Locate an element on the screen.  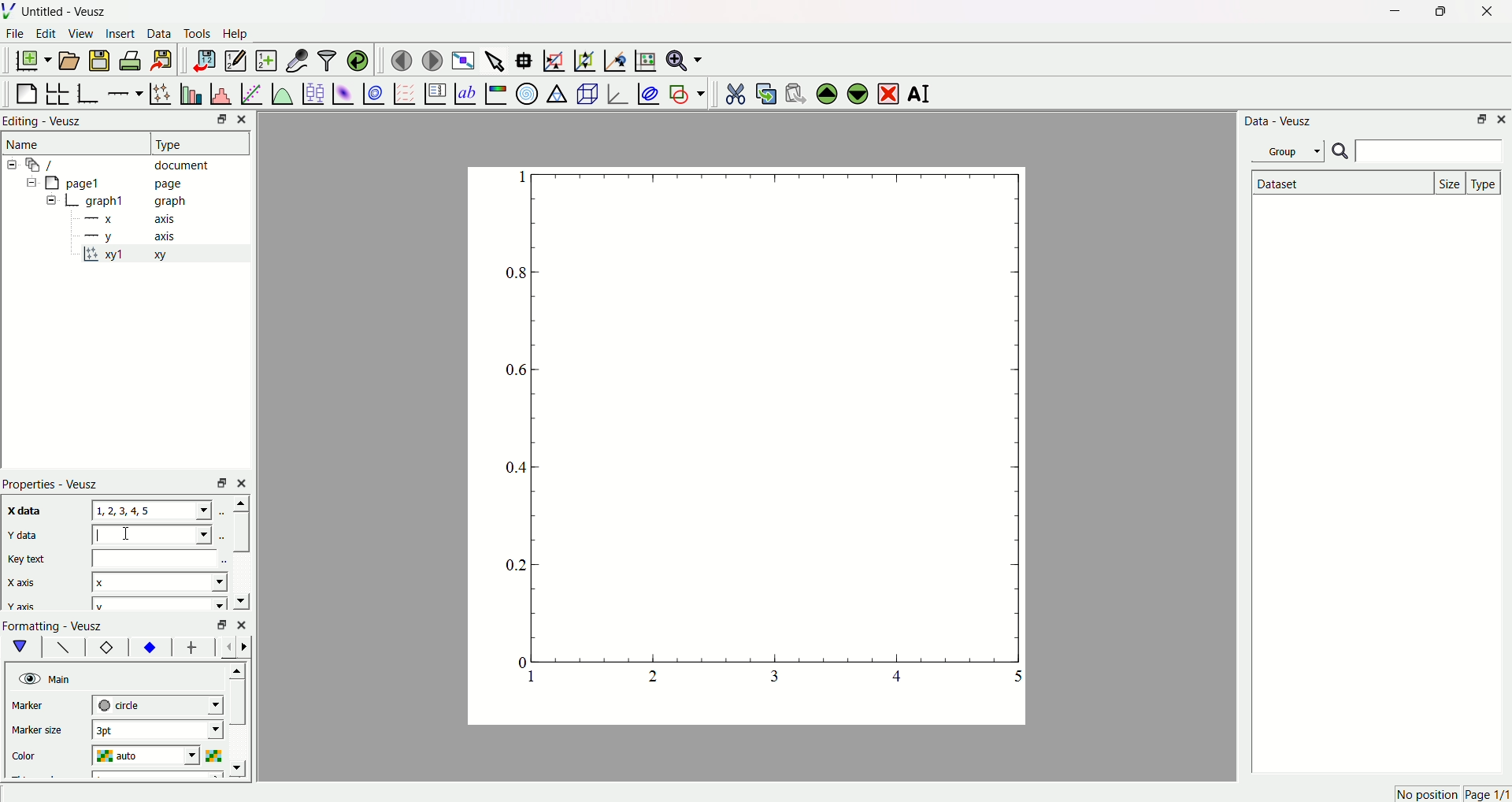
print document is located at coordinates (132, 62).